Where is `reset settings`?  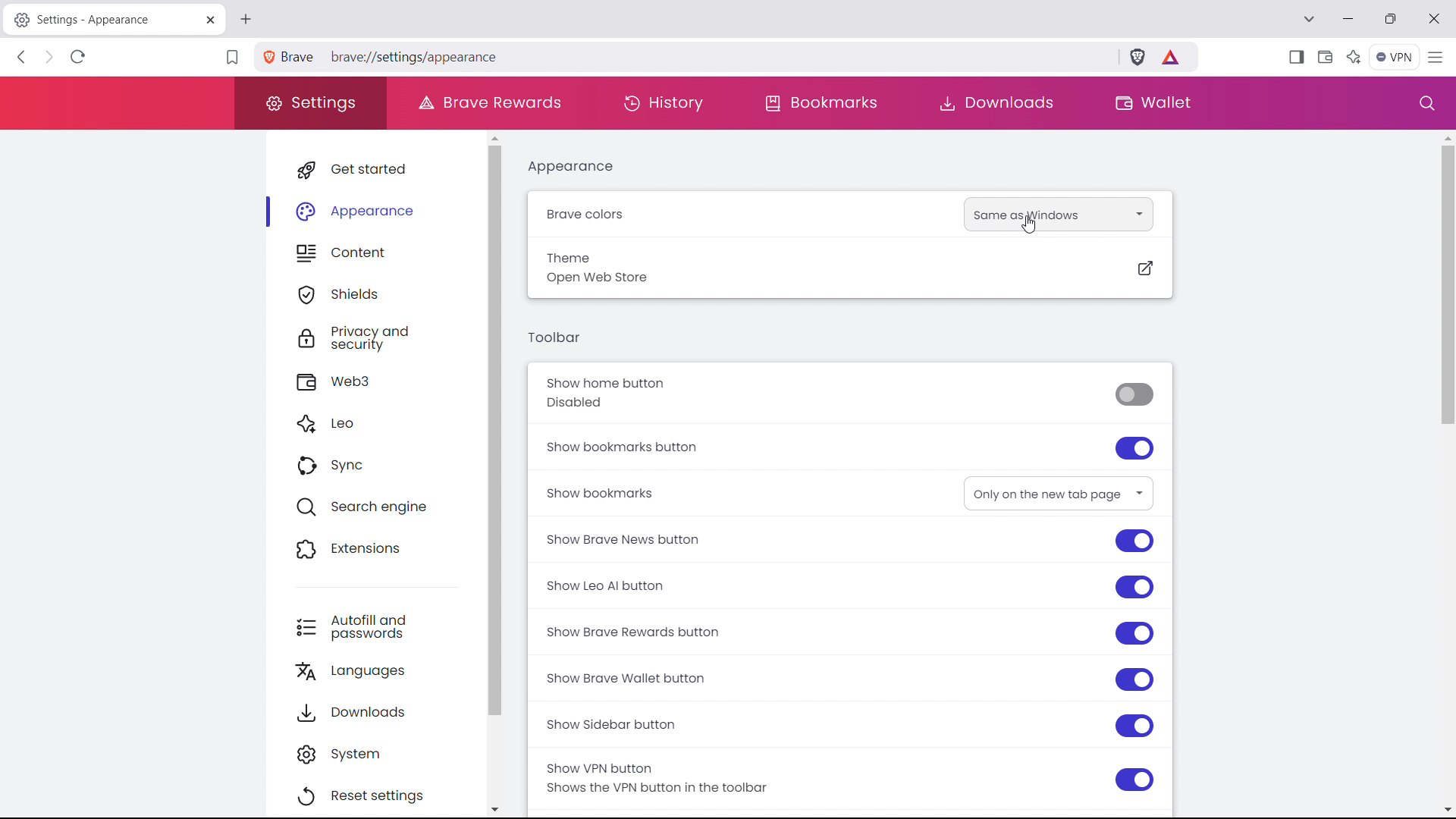 reset settings is located at coordinates (381, 792).